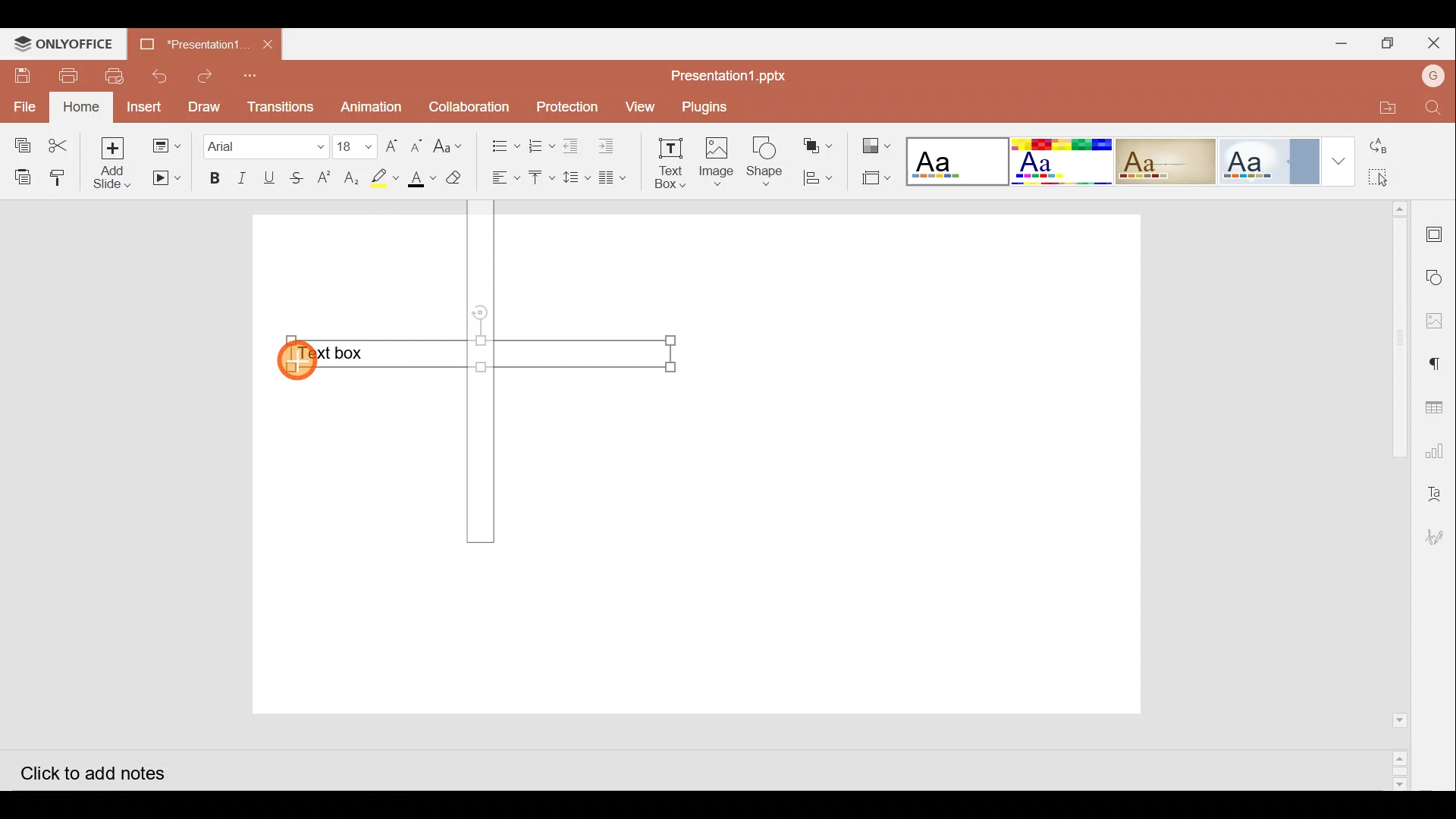 This screenshot has height=819, width=1456. What do you see at coordinates (707, 105) in the screenshot?
I see `Plugins` at bounding box center [707, 105].